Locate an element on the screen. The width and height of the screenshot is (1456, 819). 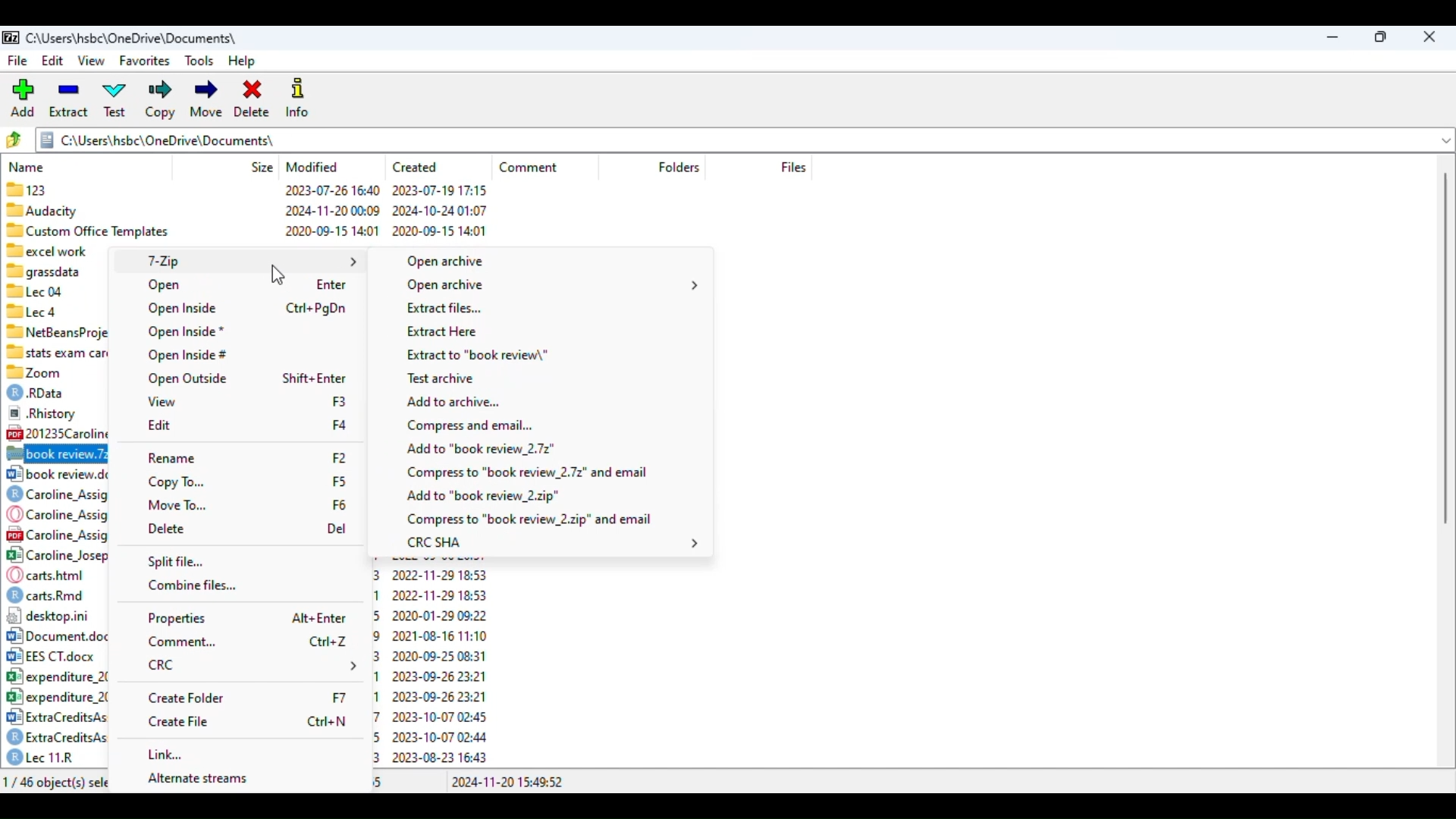
copy is located at coordinates (160, 100).